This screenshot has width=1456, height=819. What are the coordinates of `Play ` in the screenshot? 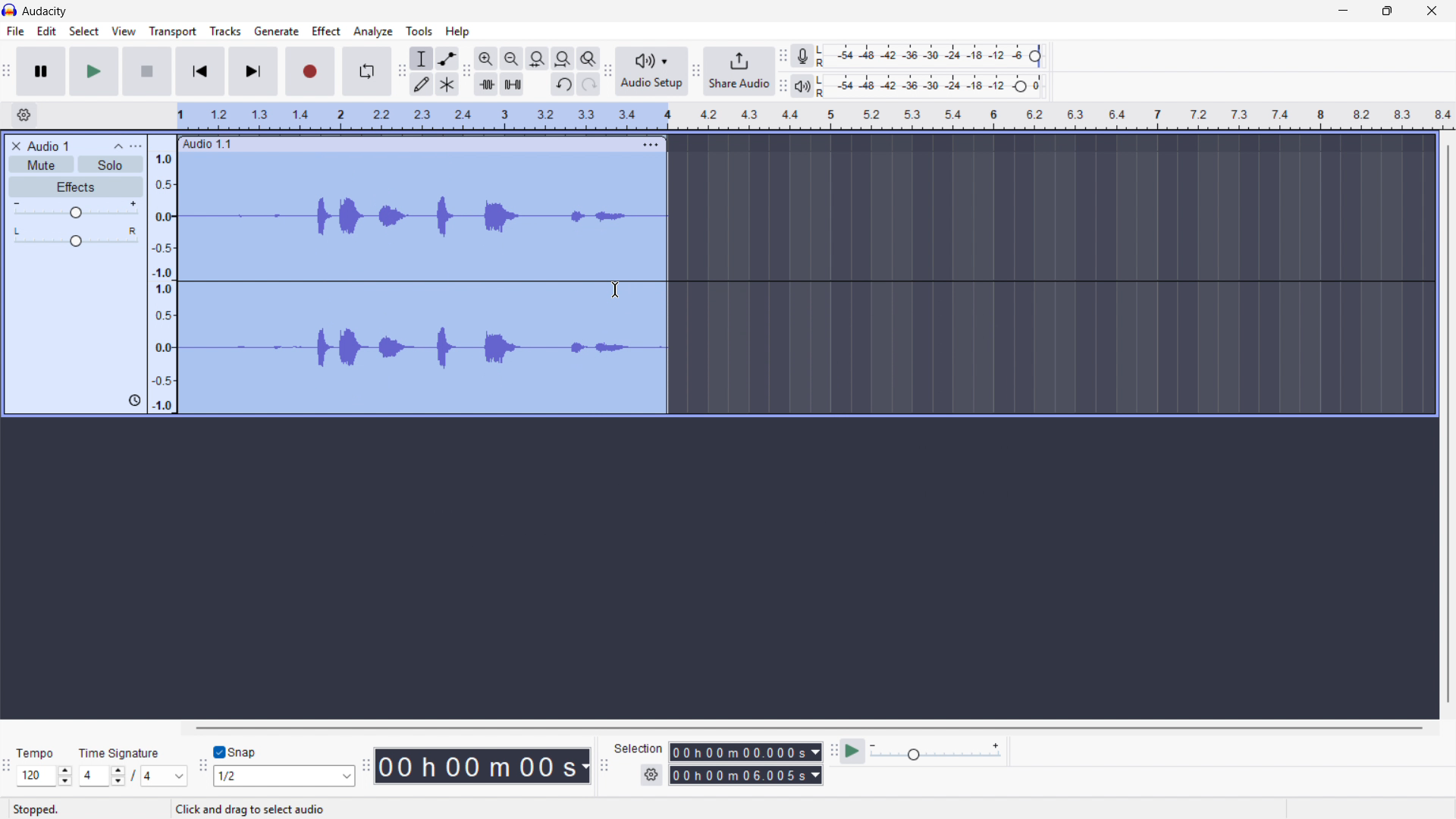 It's located at (93, 71).